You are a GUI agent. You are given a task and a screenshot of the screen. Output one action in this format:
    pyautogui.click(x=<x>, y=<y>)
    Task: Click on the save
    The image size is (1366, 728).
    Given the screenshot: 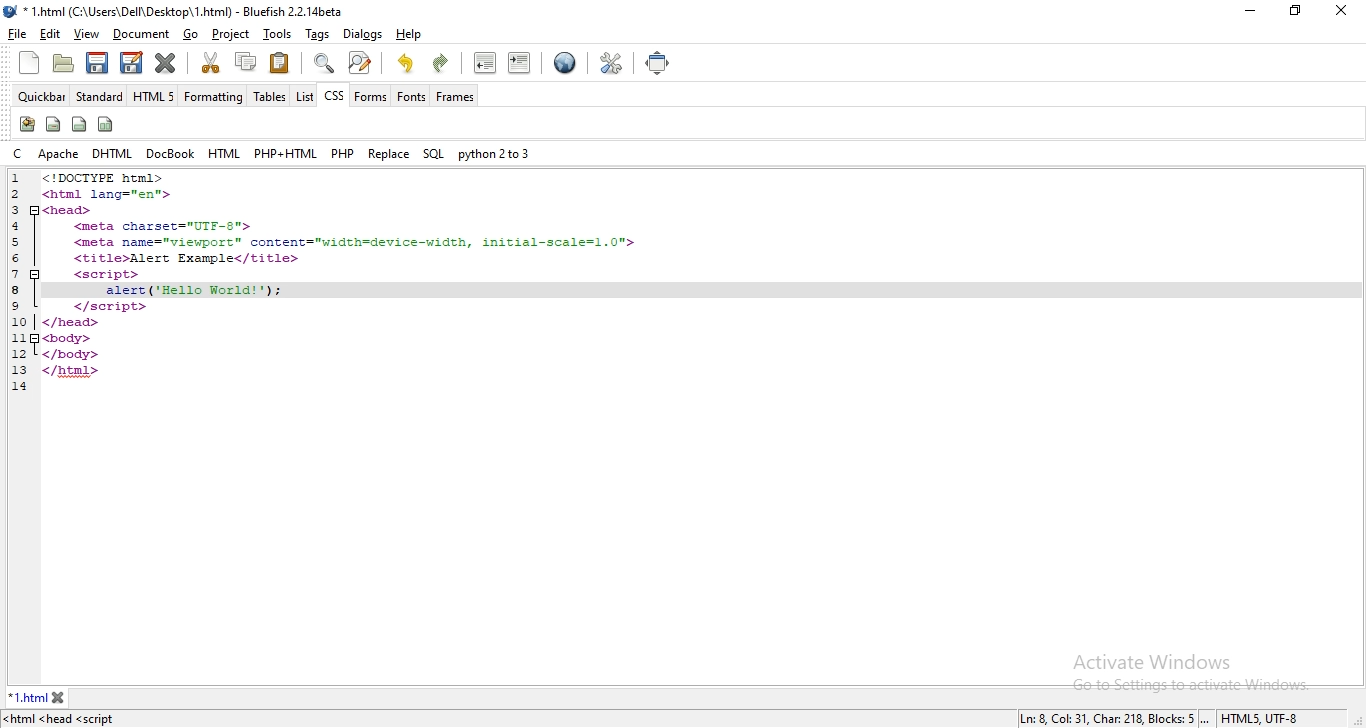 What is the action you would take?
    pyautogui.click(x=99, y=63)
    